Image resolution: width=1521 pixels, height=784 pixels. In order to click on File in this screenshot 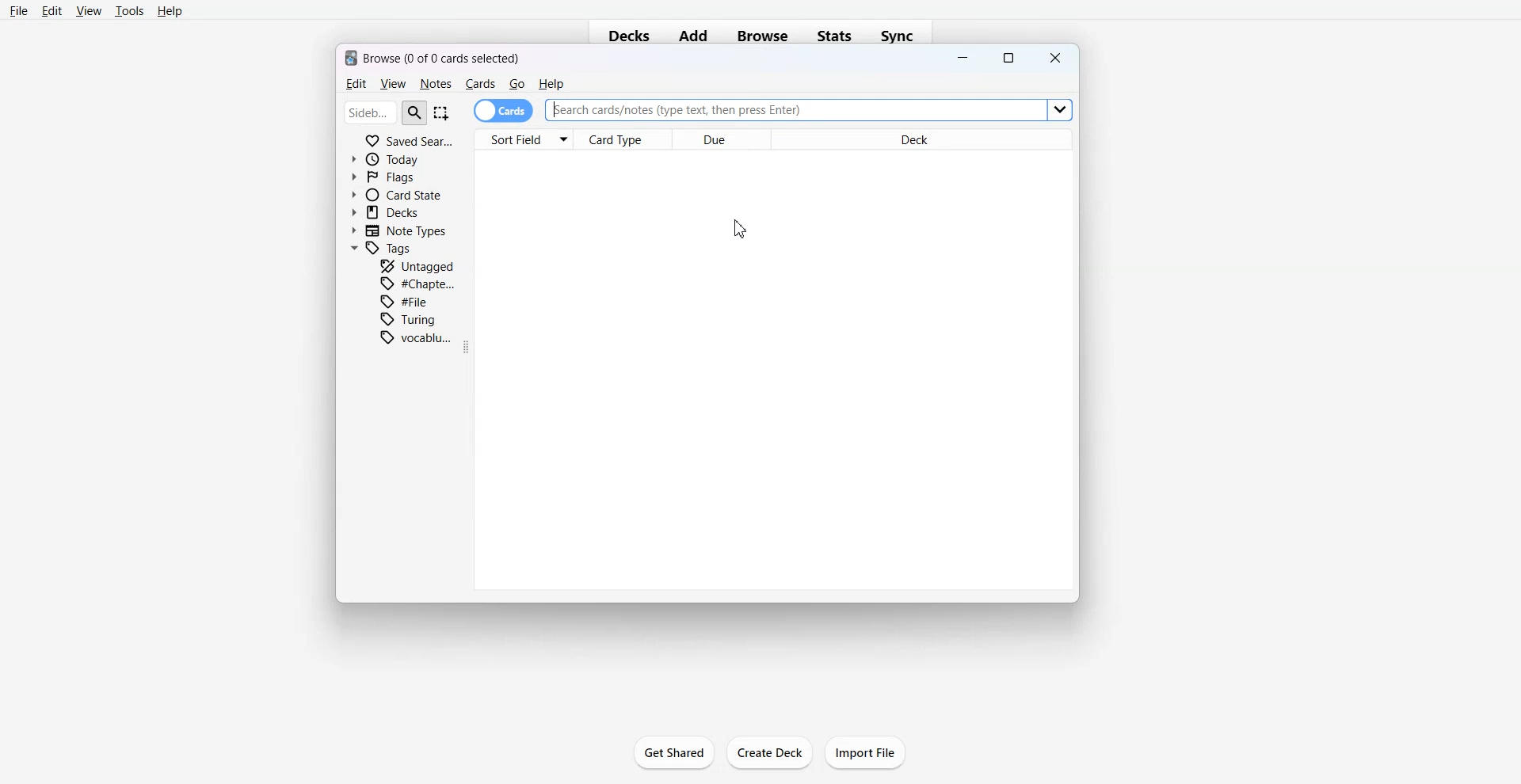, I will do `click(408, 301)`.